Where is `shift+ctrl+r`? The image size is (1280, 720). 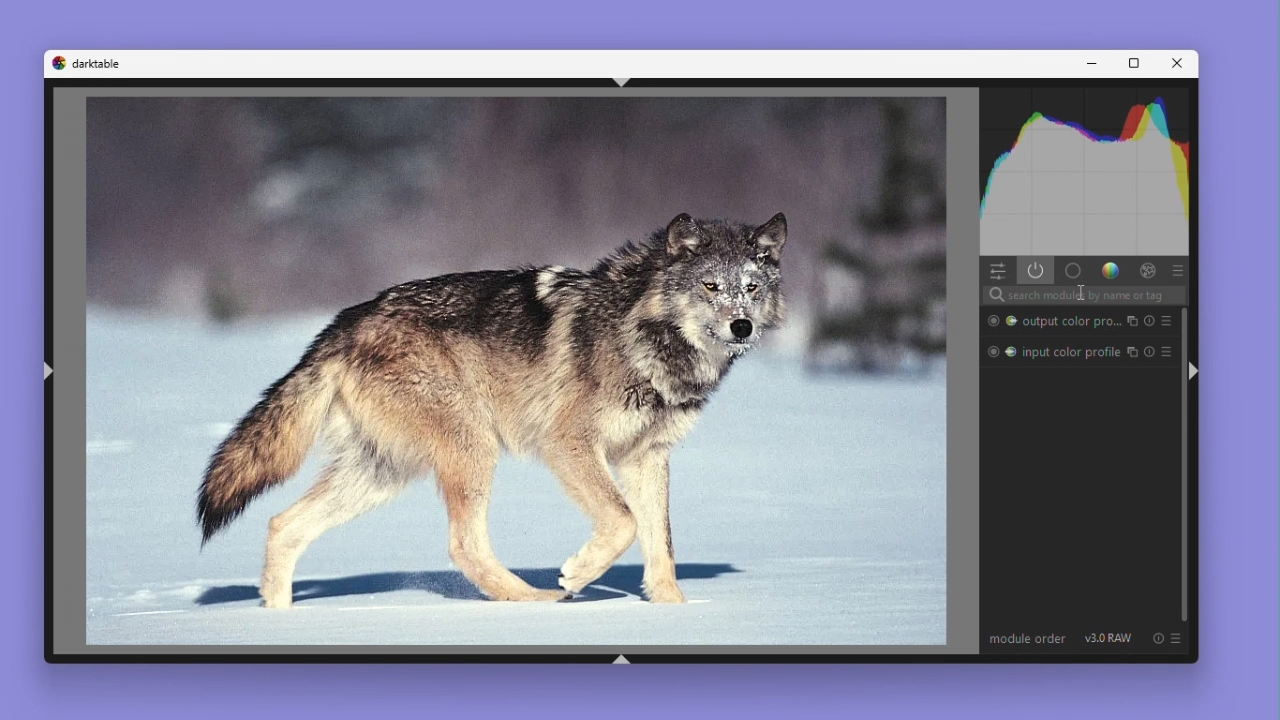
shift+ctrl+r is located at coordinates (1198, 372).